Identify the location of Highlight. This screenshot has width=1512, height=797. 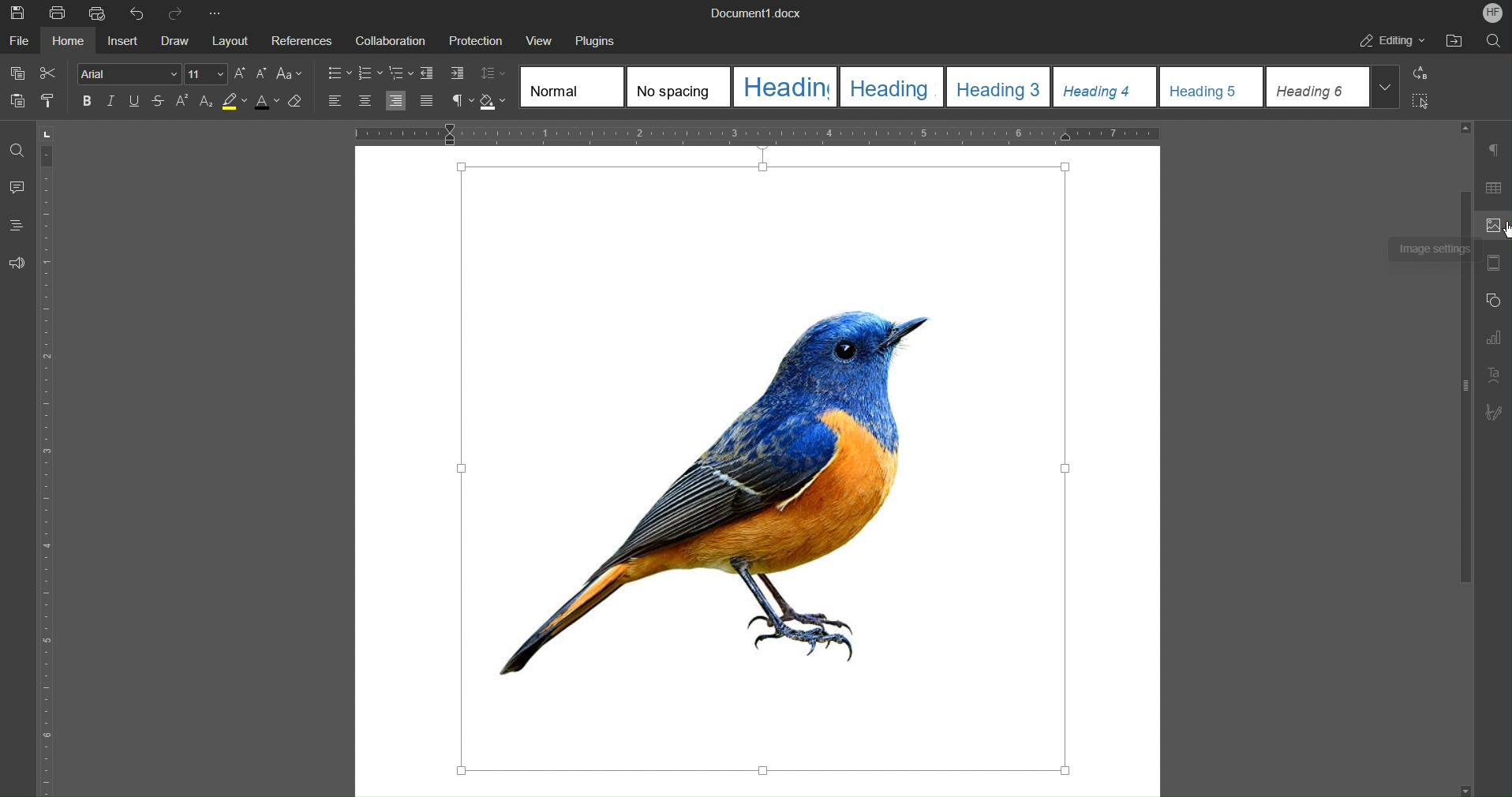
(234, 103).